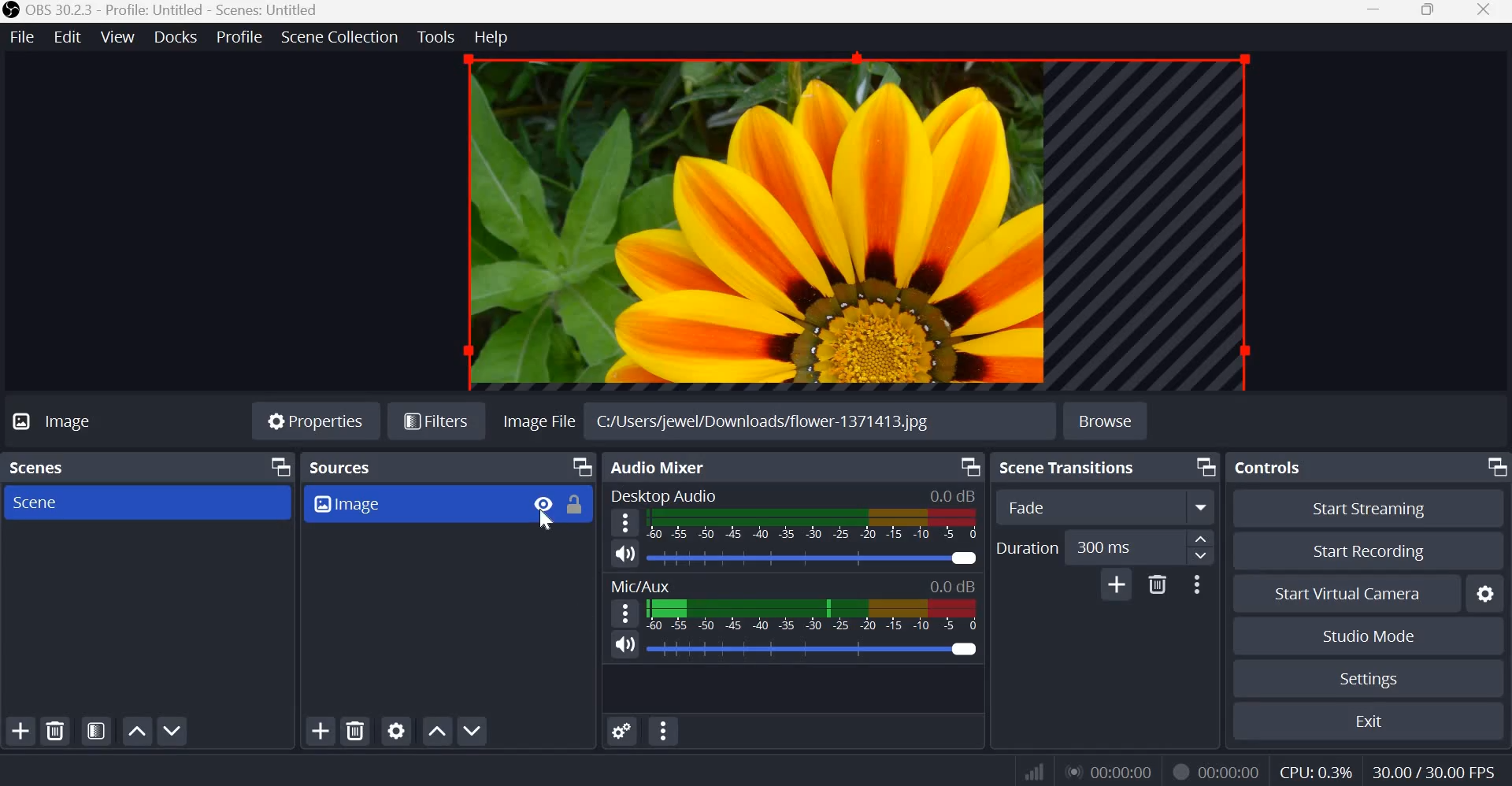 Image resolution: width=1512 pixels, height=786 pixels. What do you see at coordinates (624, 644) in the screenshot?
I see `Speaker icon` at bounding box center [624, 644].